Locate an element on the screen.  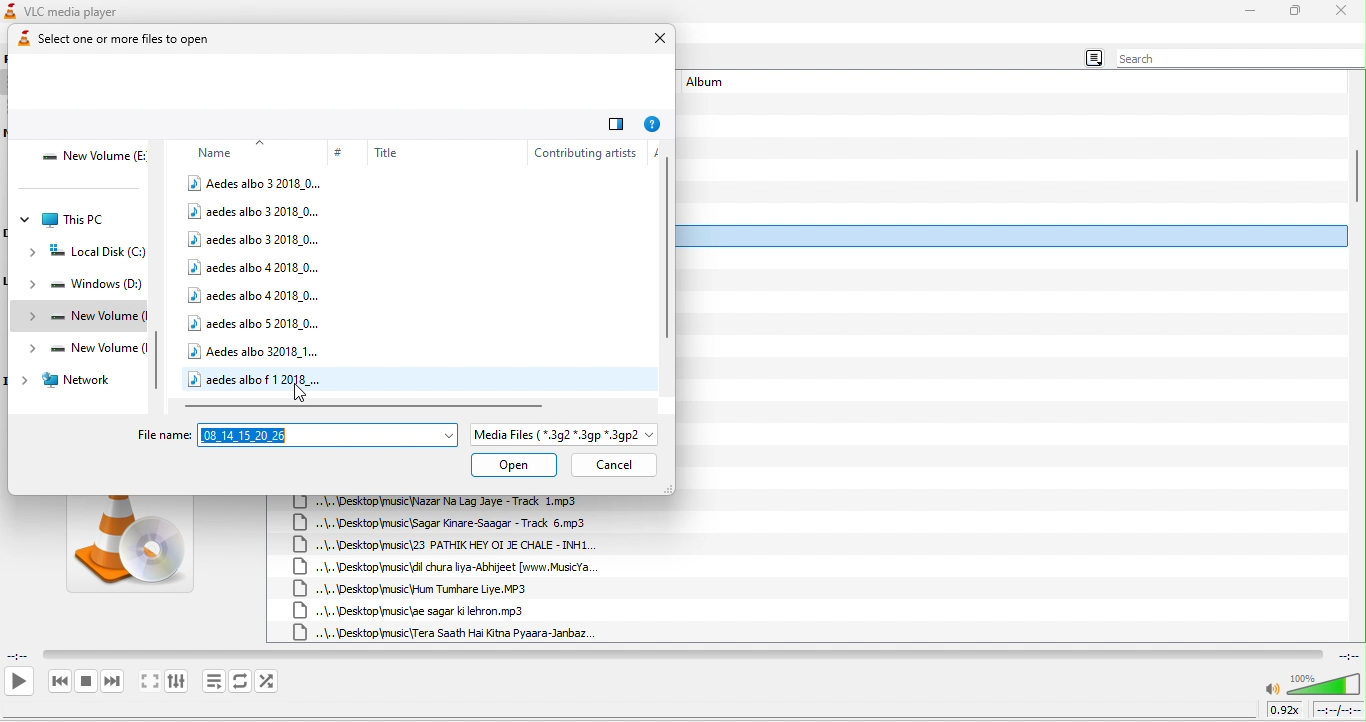
help is located at coordinates (654, 123).